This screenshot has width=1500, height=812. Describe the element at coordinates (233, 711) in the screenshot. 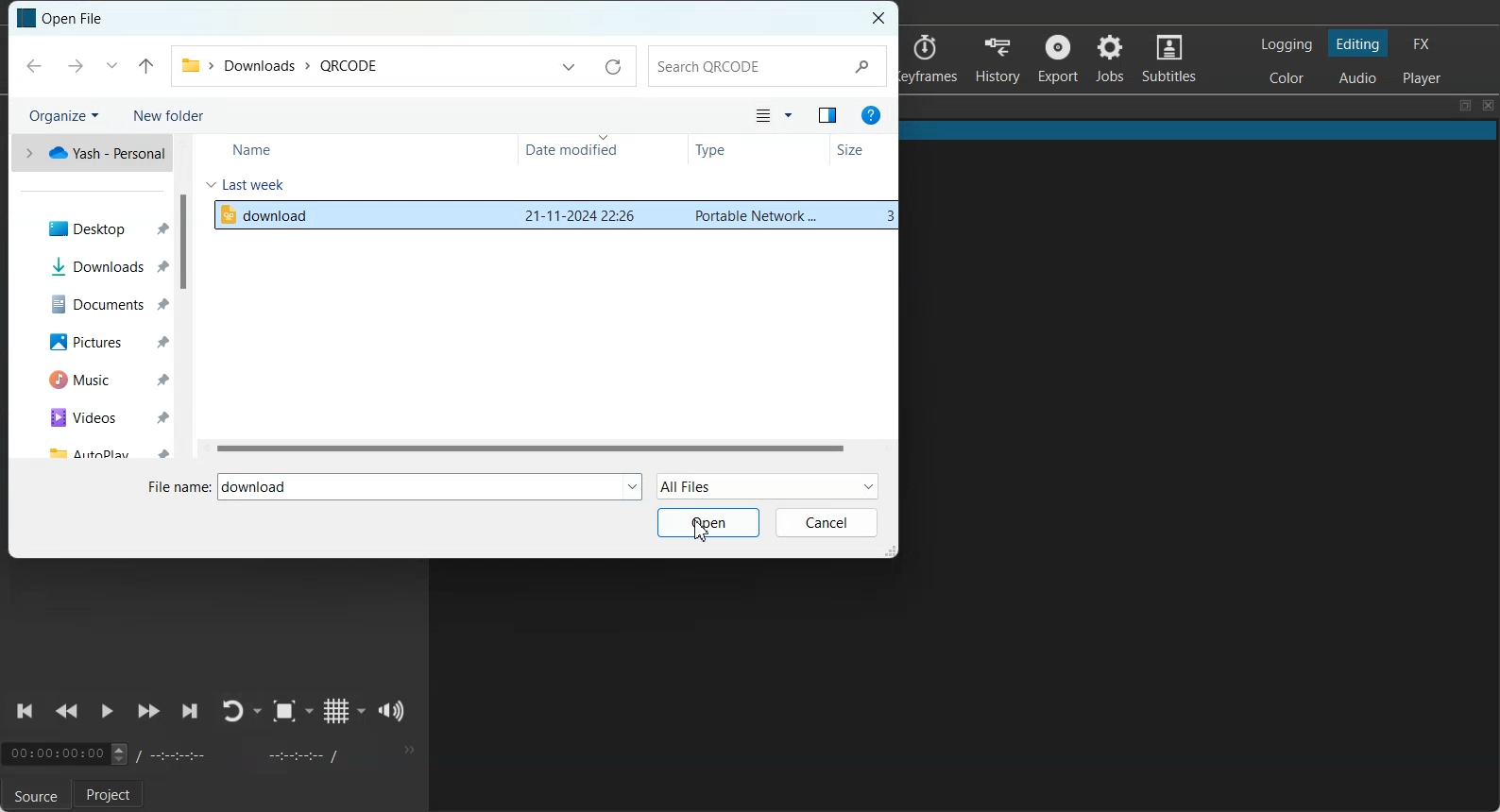

I see `Toggle player lopping` at that location.